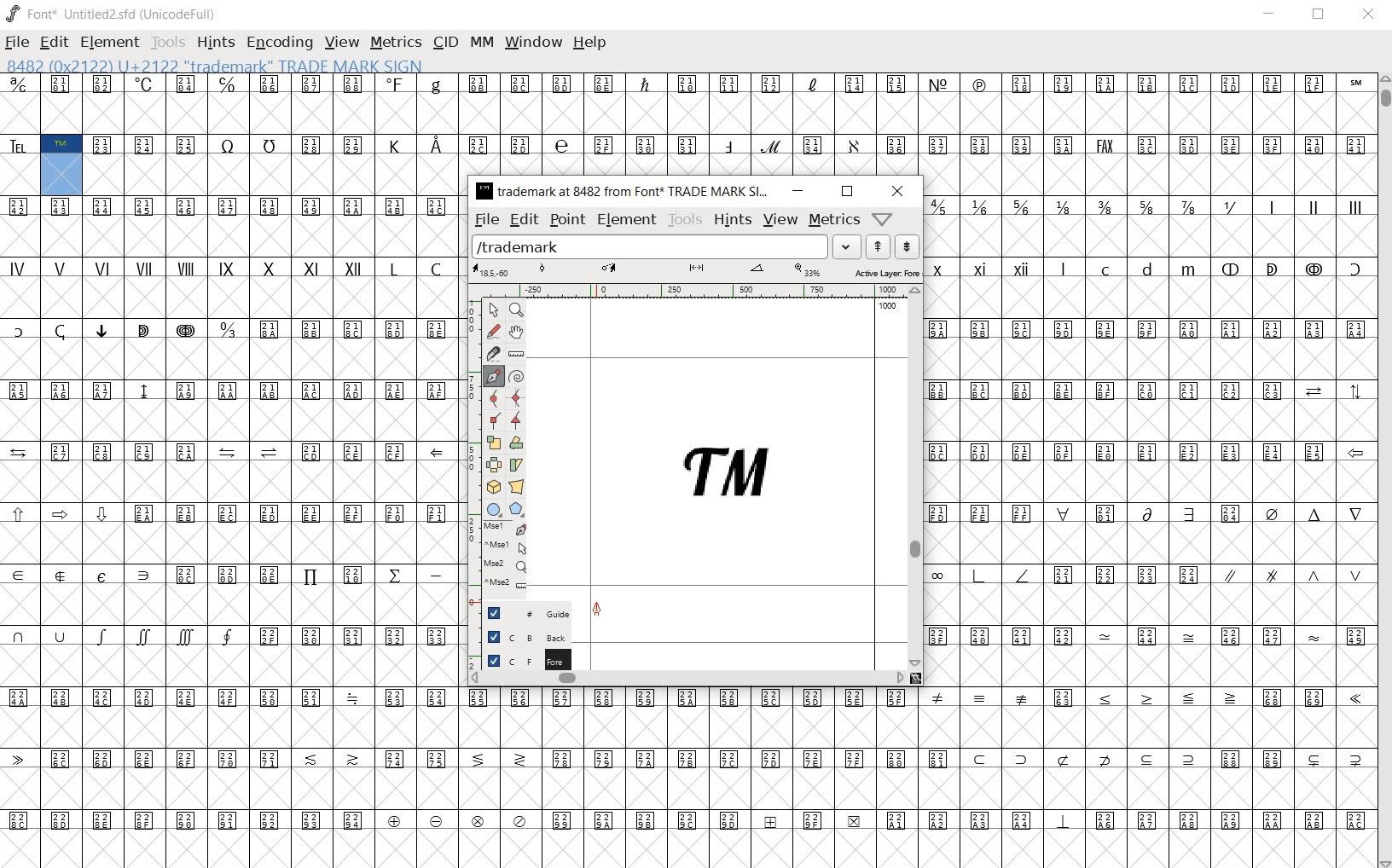  Describe the element at coordinates (819, 356) in the screenshot. I see `overline.png` at that location.